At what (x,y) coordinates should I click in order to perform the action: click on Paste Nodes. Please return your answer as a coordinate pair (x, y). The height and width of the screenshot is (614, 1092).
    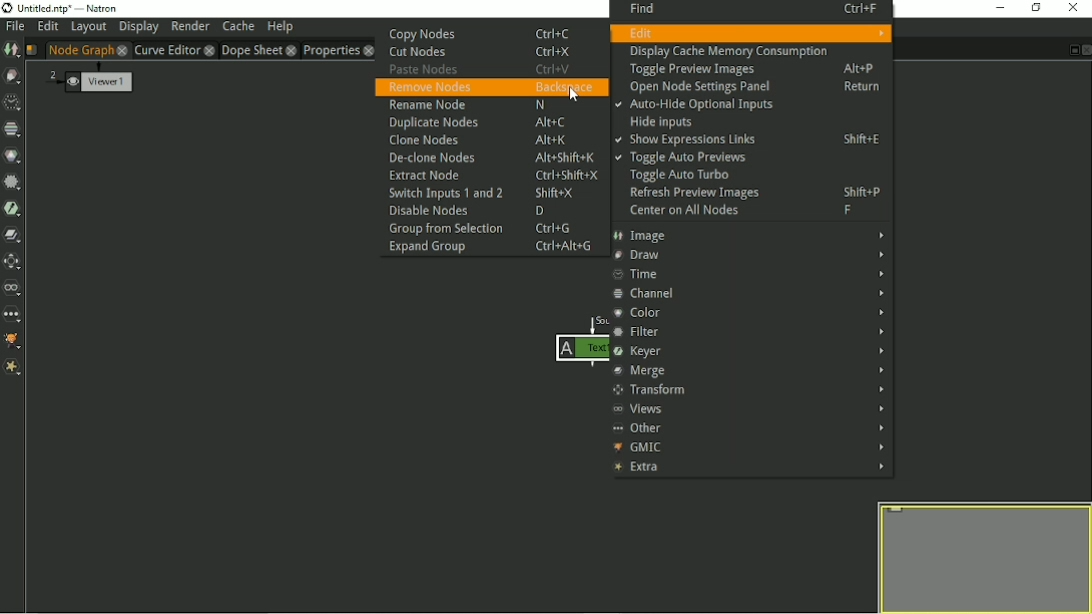
    Looking at the image, I should click on (484, 69).